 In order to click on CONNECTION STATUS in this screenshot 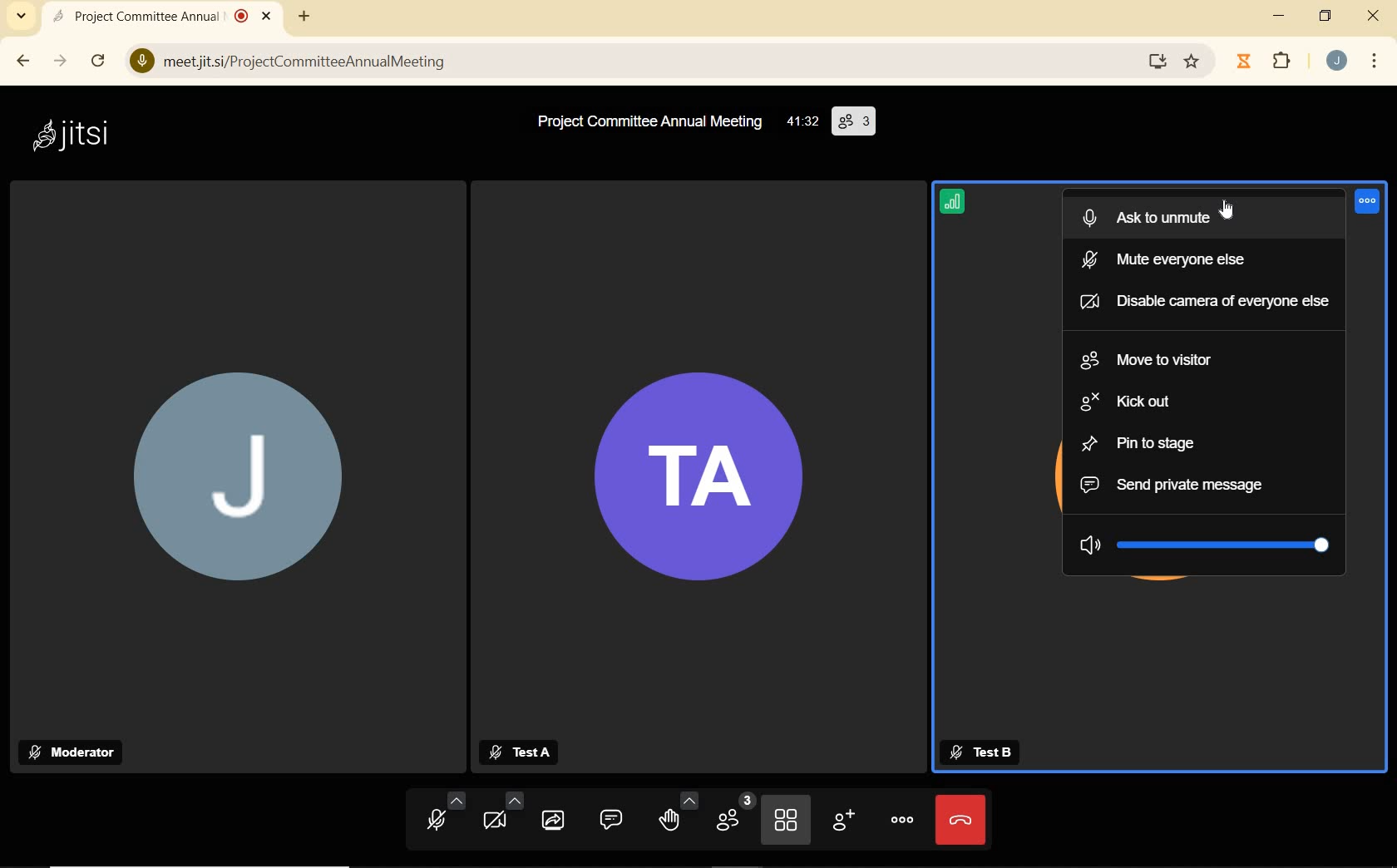, I will do `click(955, 205)`.